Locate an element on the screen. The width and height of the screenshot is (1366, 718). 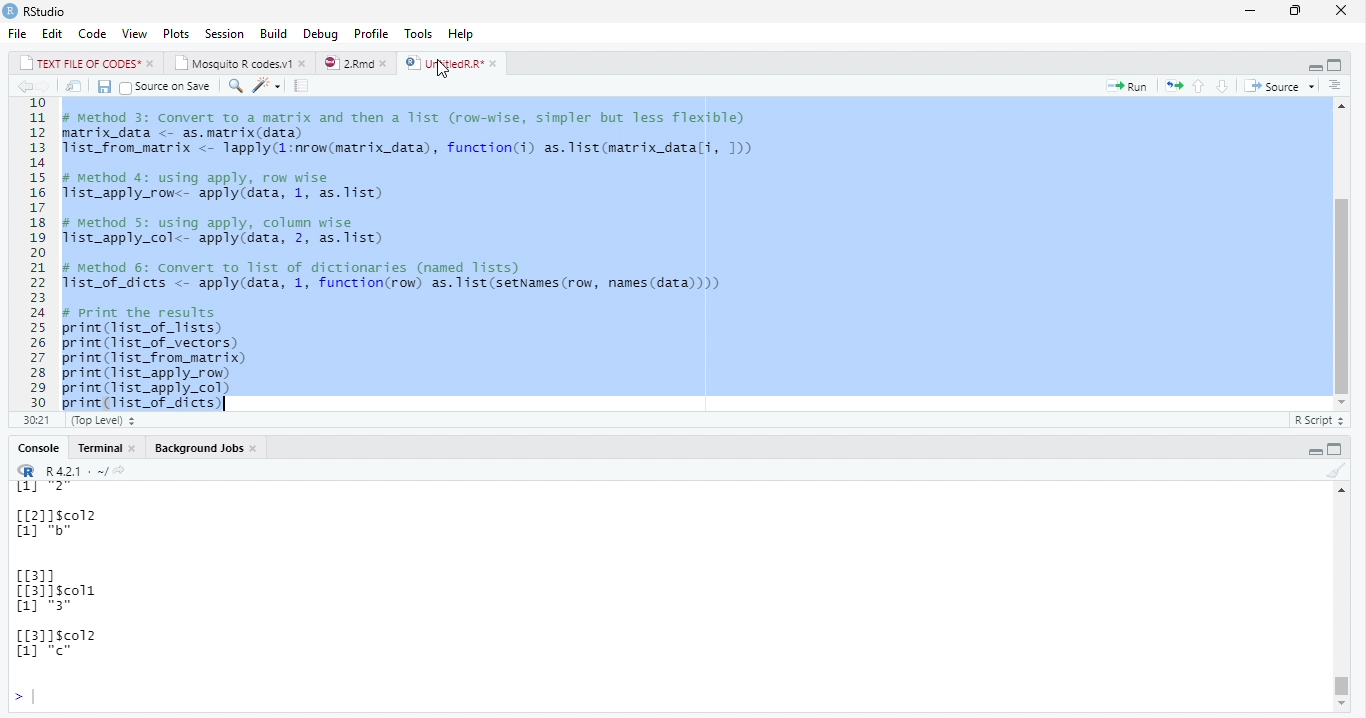
code to print is located at coordinates (176, 365).